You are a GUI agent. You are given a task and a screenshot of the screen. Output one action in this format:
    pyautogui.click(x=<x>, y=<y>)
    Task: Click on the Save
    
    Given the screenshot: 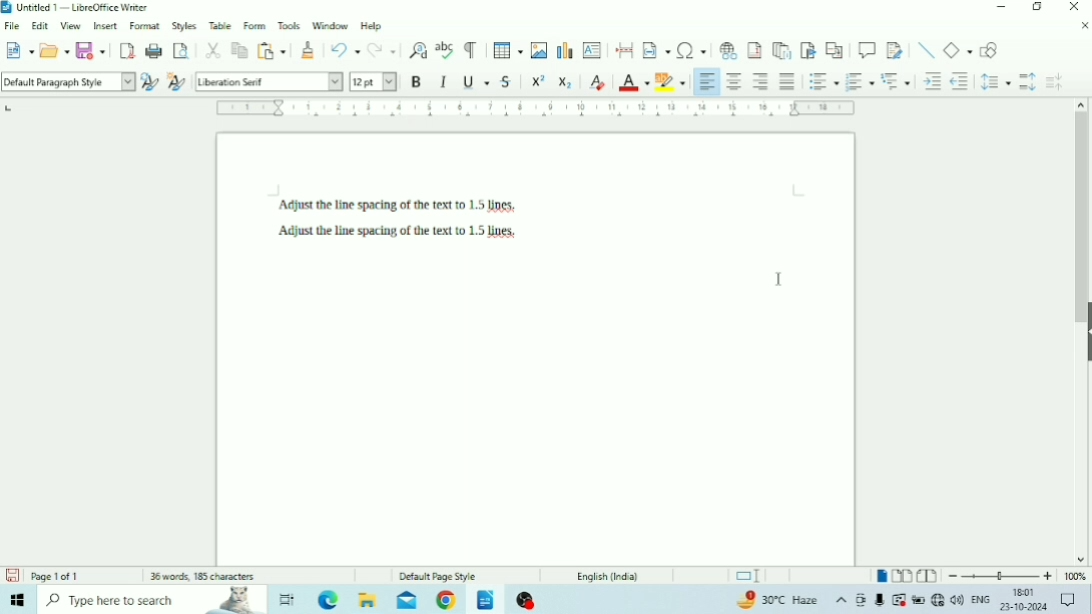 What is the action you would take?
    pyautogui.click(x=92, y=51)
    